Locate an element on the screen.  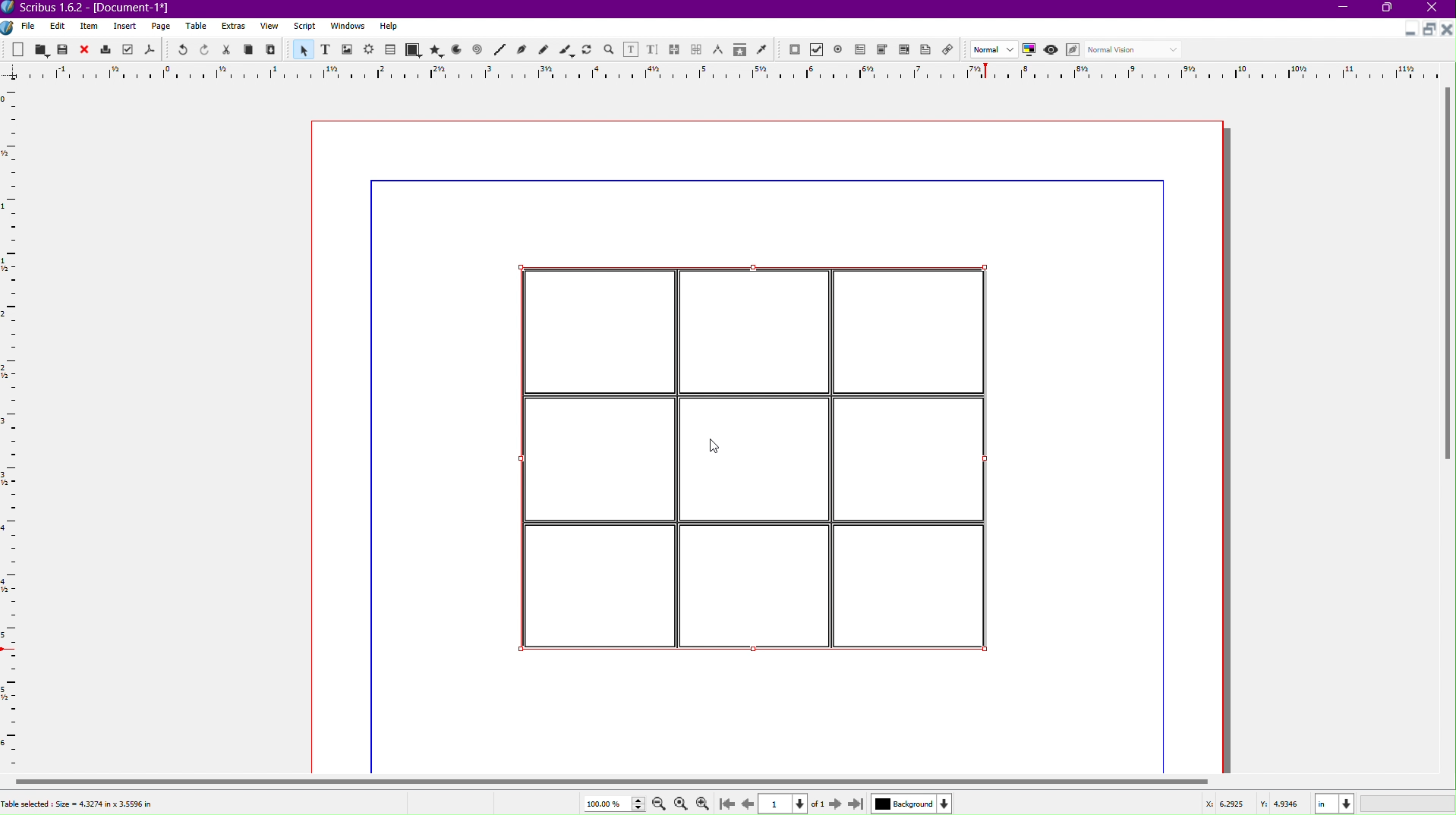
Background Color is located at coordinates (909, 803).